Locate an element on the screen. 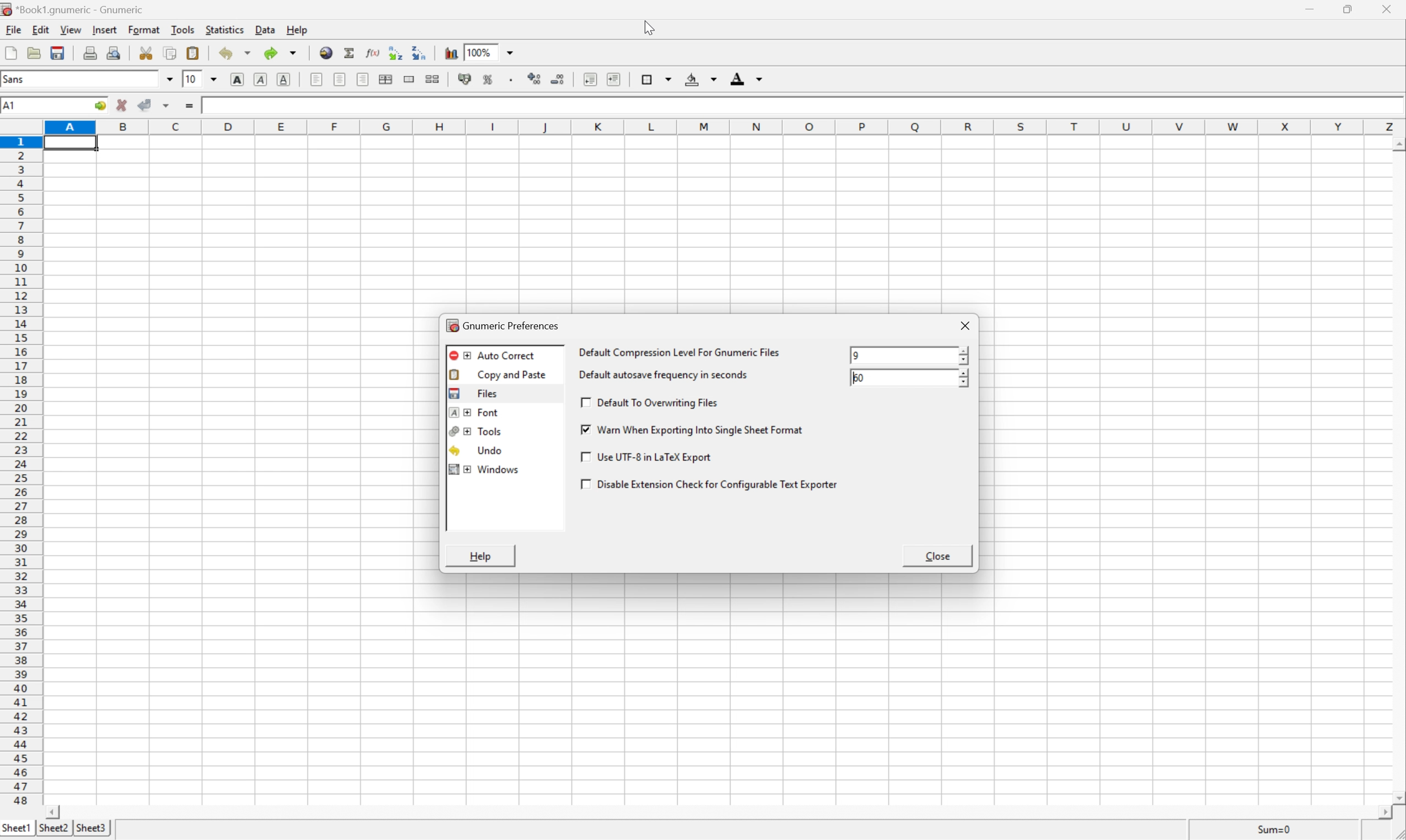 Image resolution: width=1406 pixels, height=840 pixels. close is located at coordinates (968, 327).